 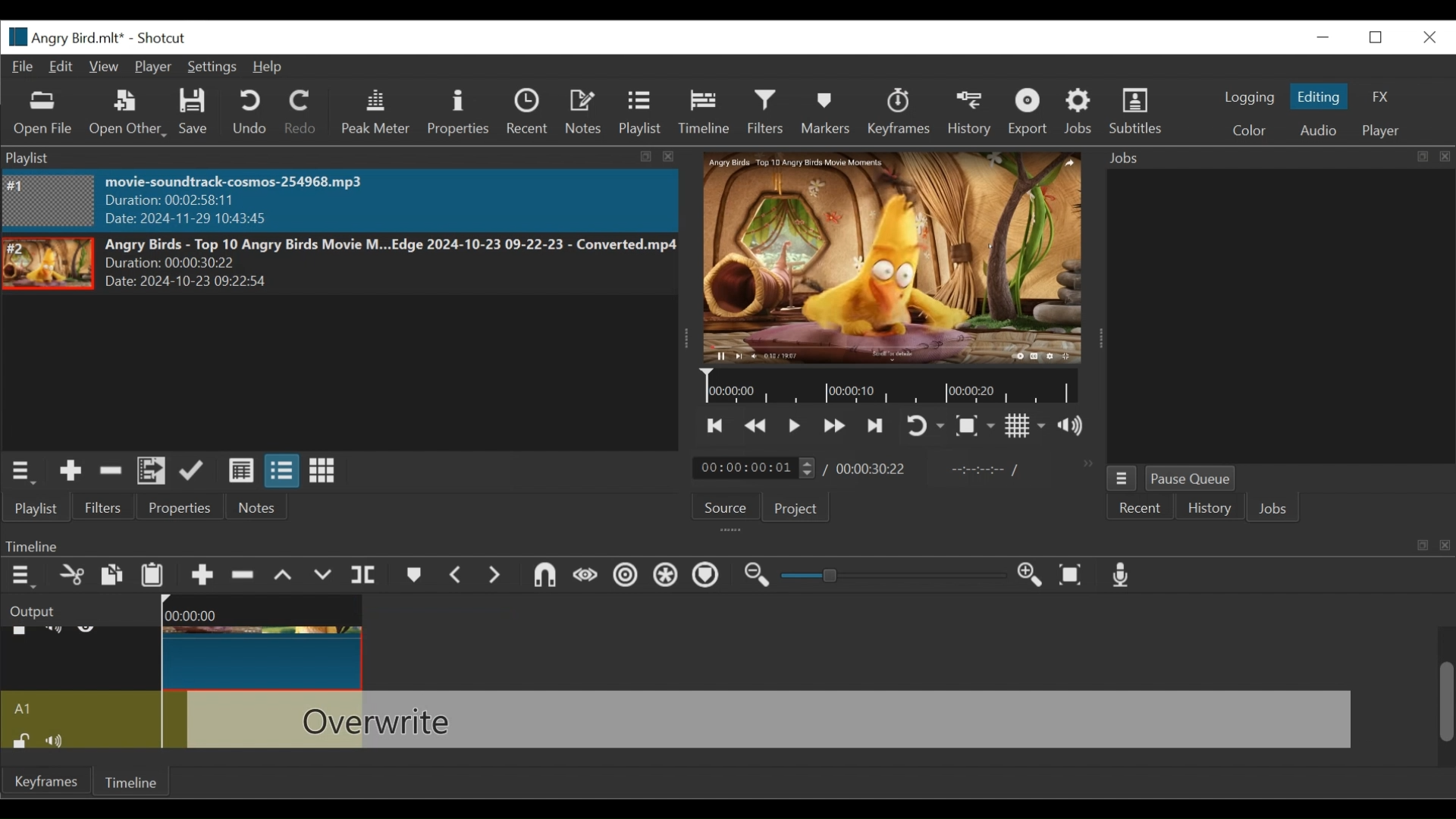 I want to click on Play quickly forward, so click(x=832, y=426).